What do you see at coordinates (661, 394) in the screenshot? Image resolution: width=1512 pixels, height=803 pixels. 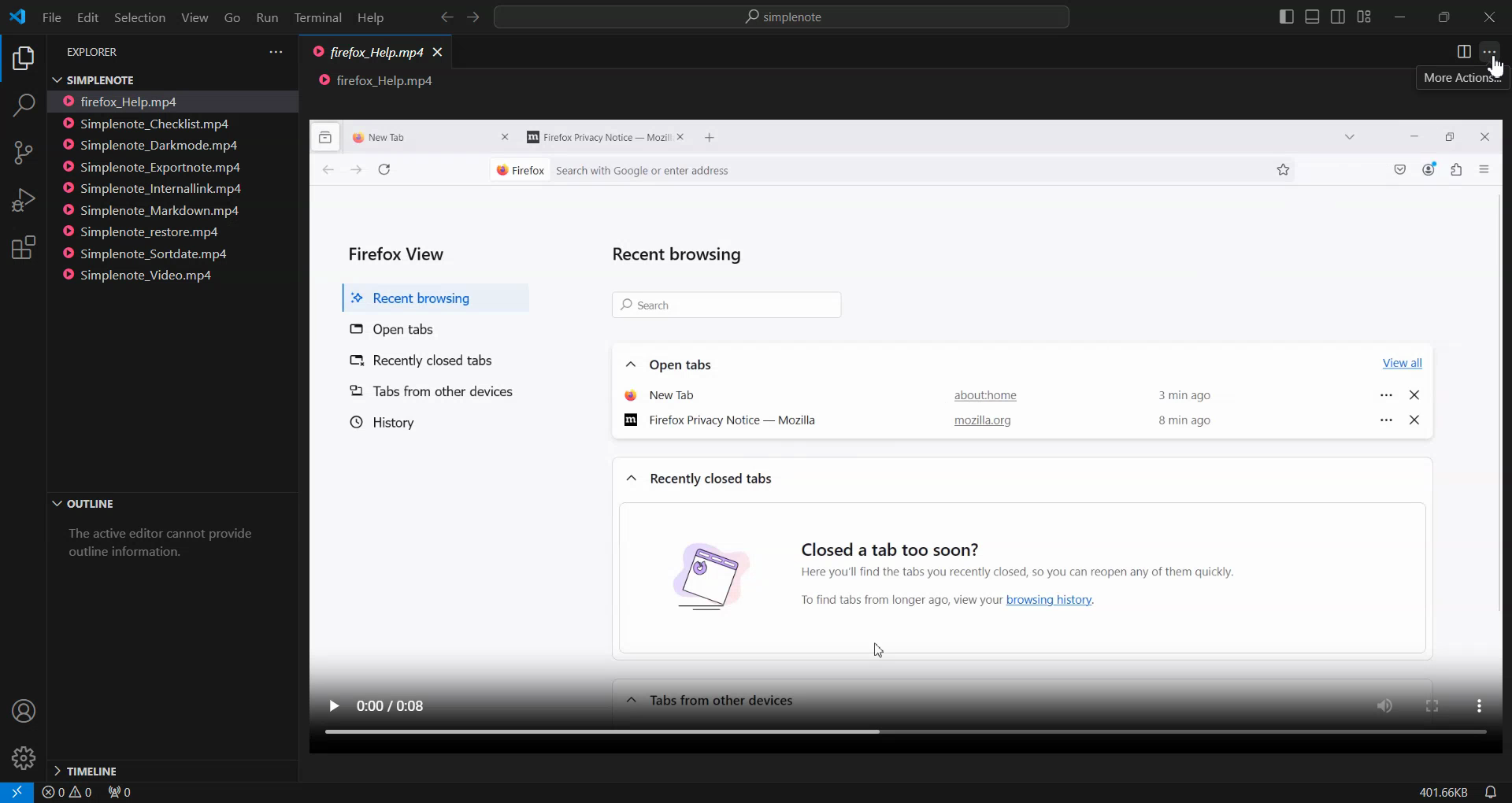 I see `NewT ab` at bounding box center [661, 394].